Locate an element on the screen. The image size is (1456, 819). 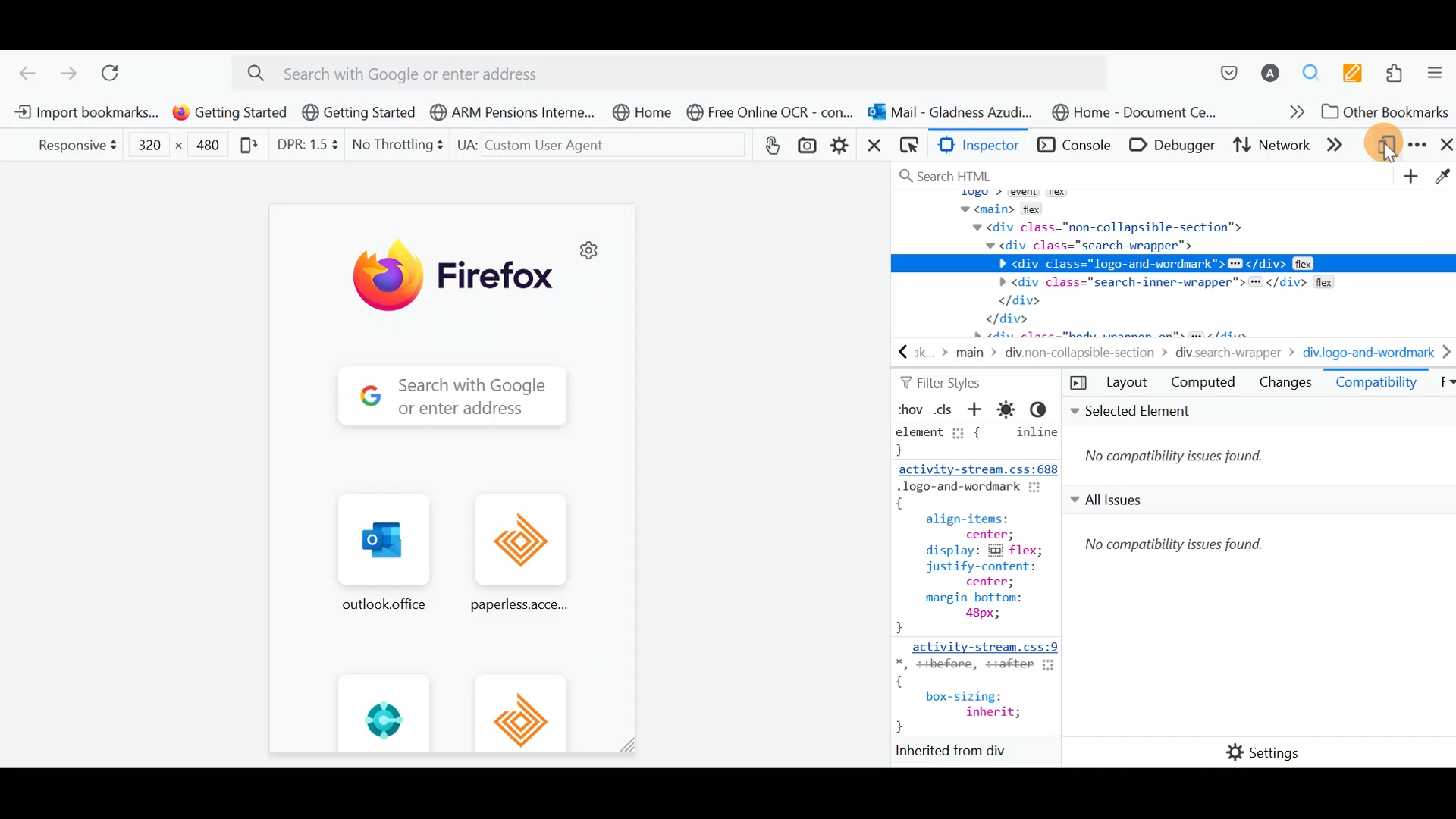
Bookmark 6 is located at coordinates (772, 114).